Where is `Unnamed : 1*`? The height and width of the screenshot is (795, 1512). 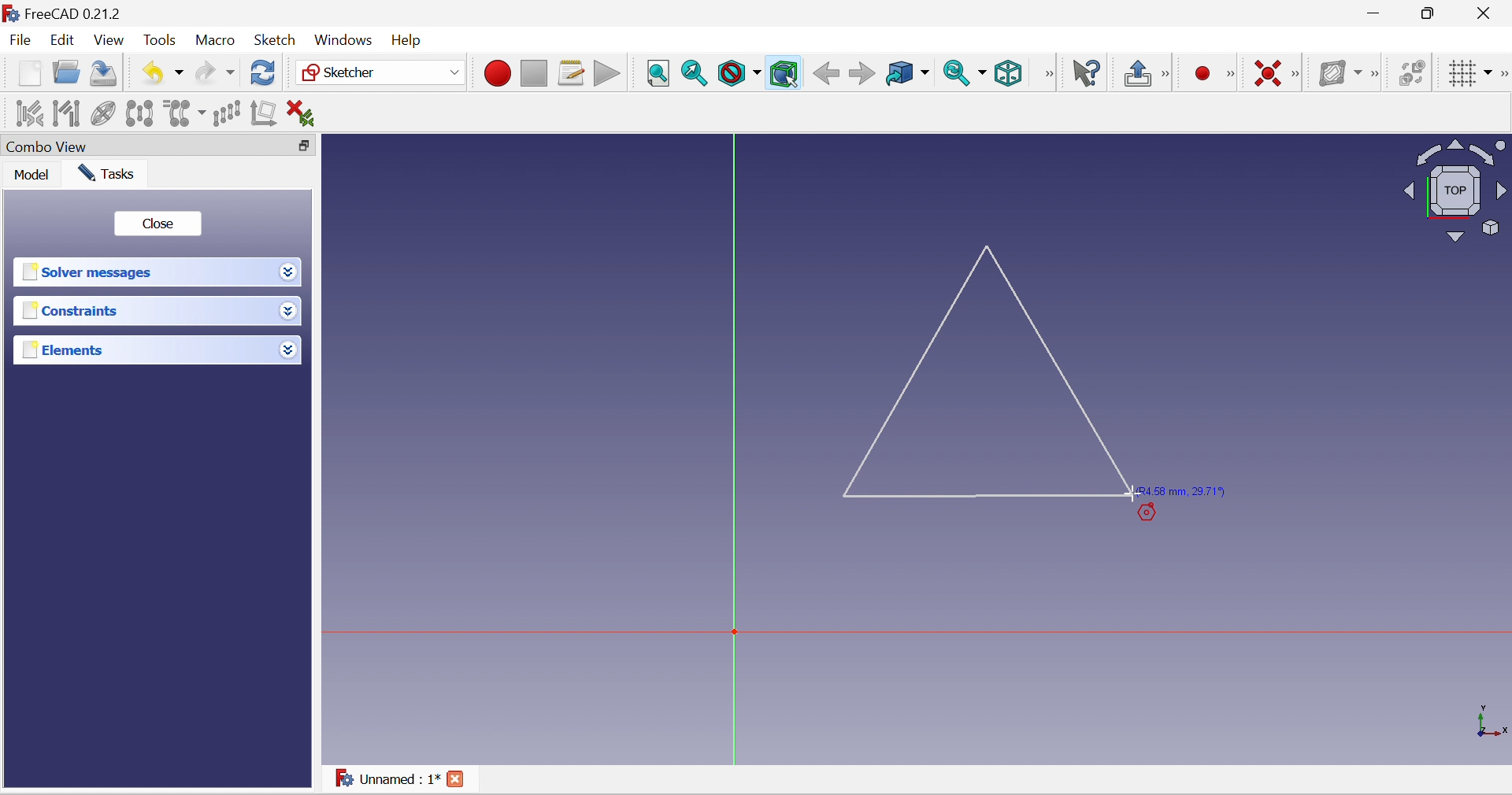 Unnamed : 1* is located at coordinates (388, 777).